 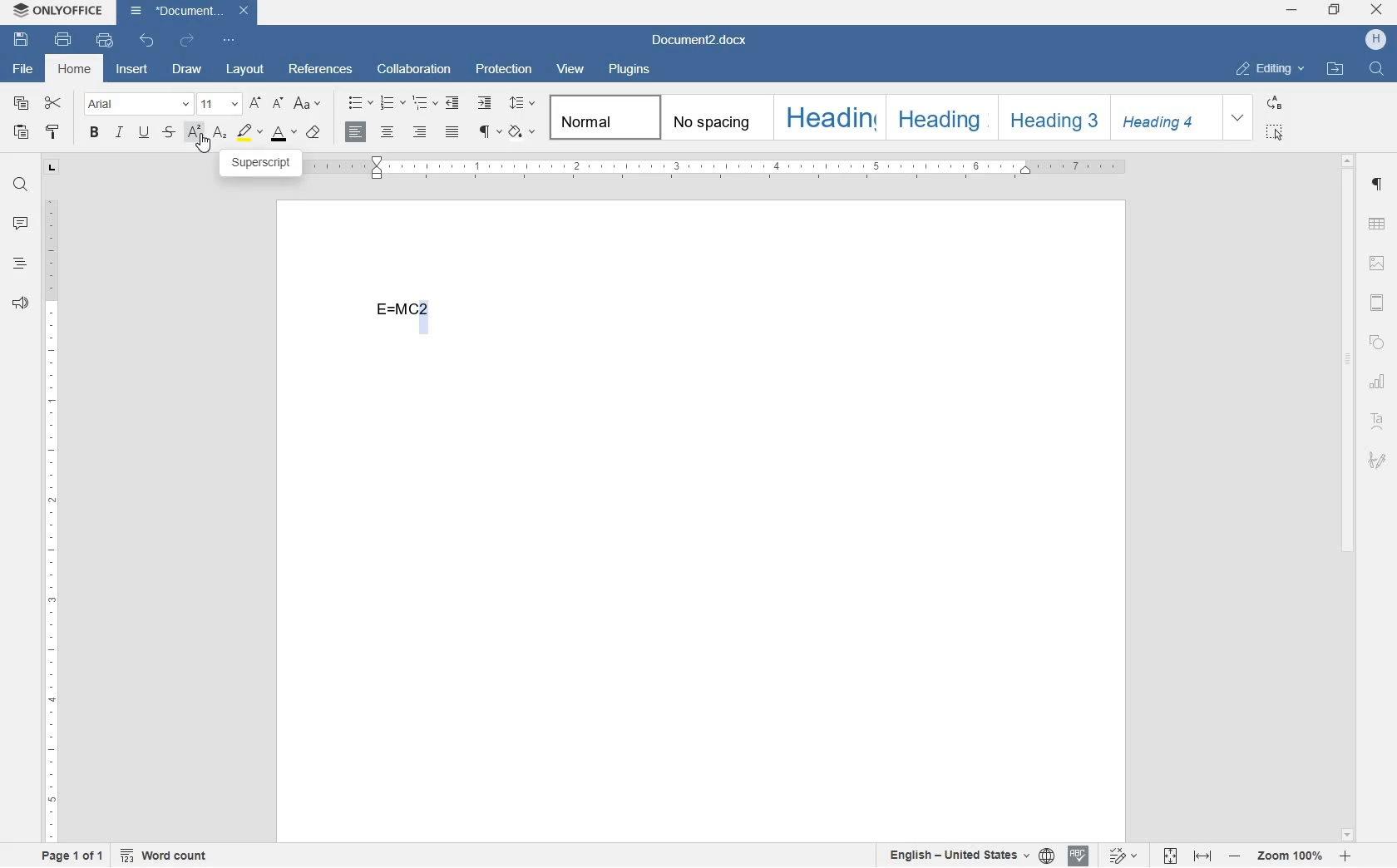 What do you see at coordinates (53, 133) in the screenshot?
I see `copy style` at bounding box center [53, 133].